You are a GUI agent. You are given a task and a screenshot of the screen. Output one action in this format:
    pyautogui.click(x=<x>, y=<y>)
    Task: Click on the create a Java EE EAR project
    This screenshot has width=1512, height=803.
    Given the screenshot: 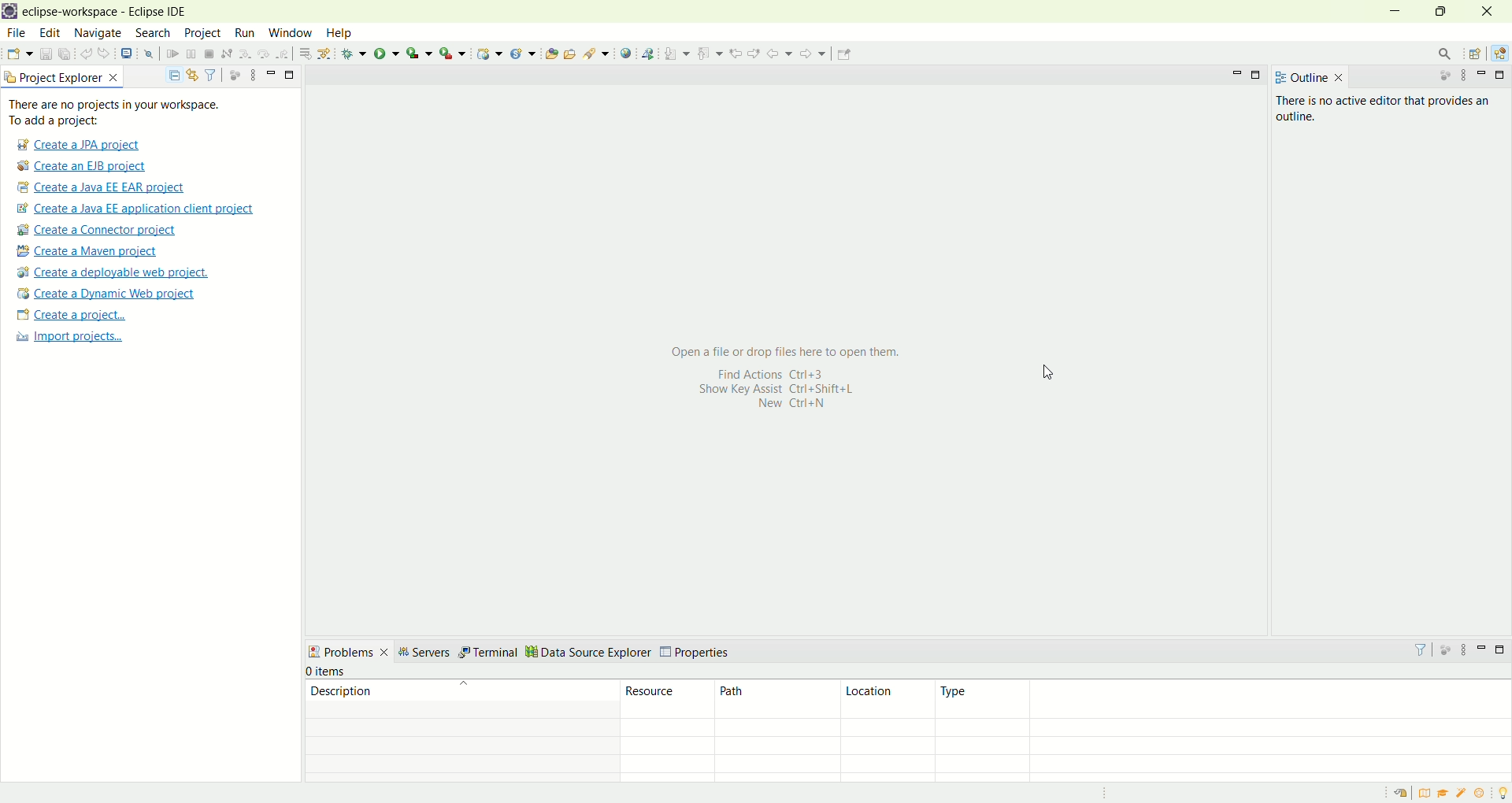 What is the action you would take?
    pyautogui.click(x=105, y=189)
    